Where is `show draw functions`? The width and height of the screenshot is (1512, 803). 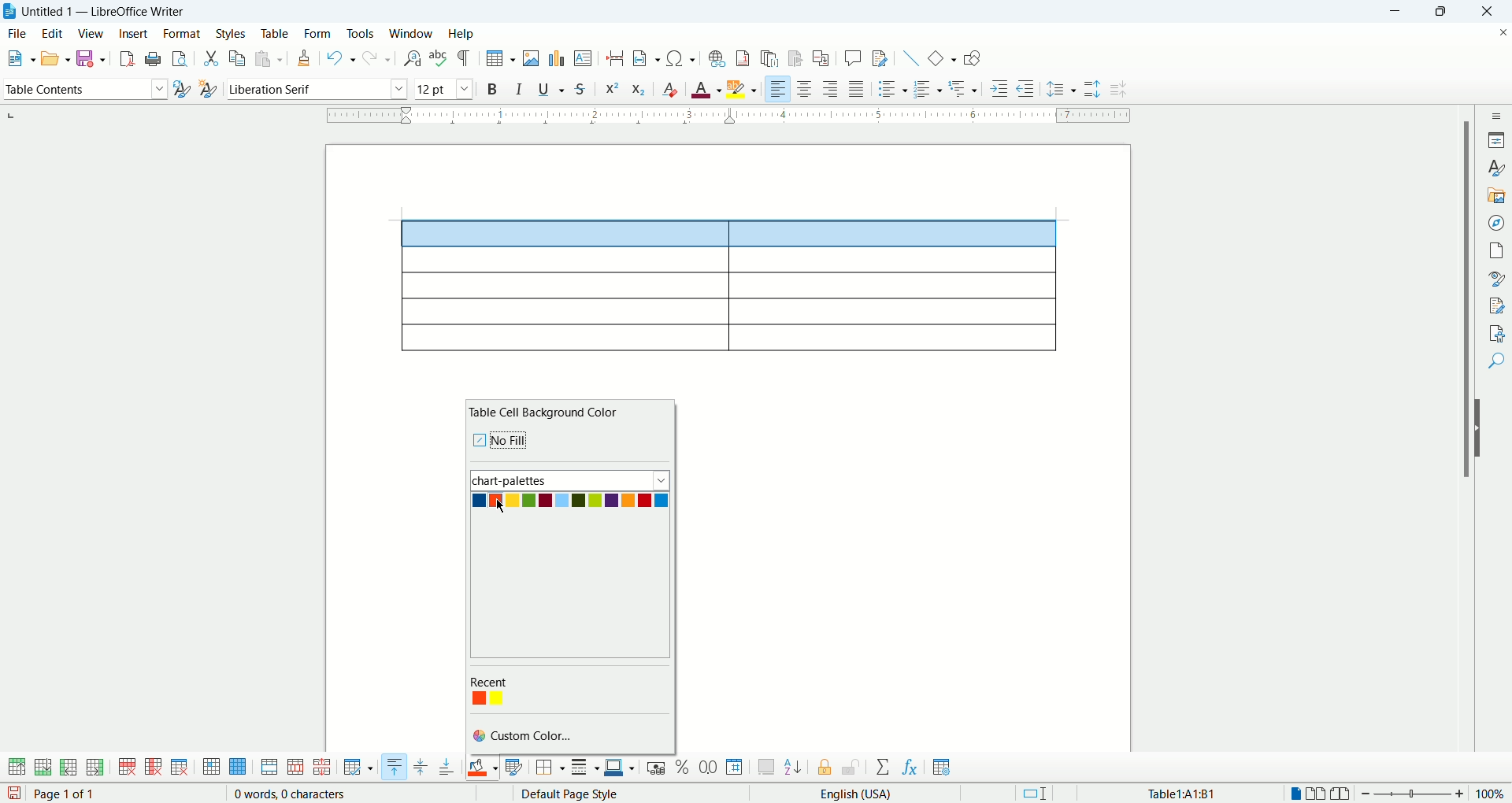 show draw functions is located at coordinates (973, 57).